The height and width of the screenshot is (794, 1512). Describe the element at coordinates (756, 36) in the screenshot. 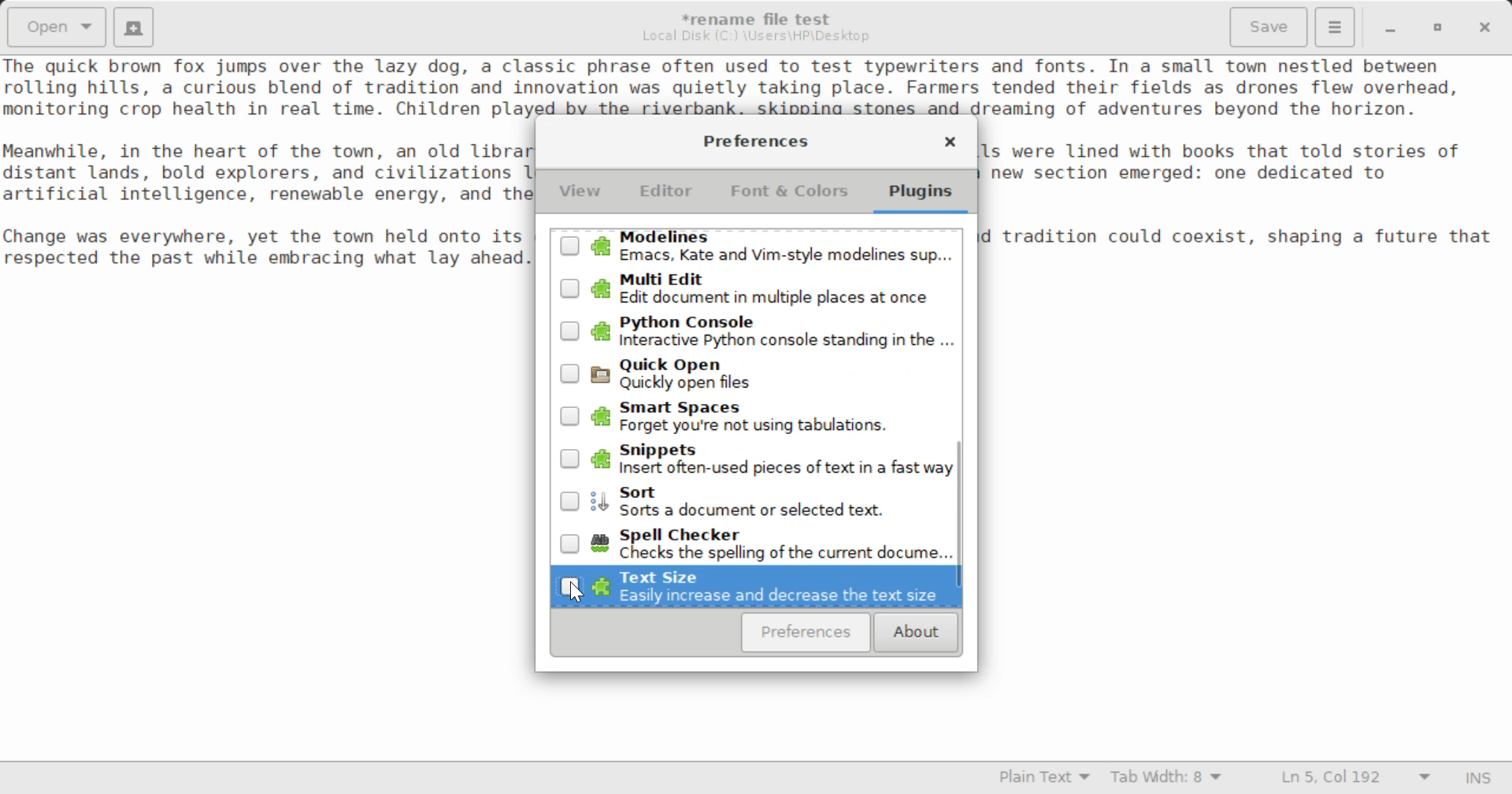

I see `File Location` at that location.